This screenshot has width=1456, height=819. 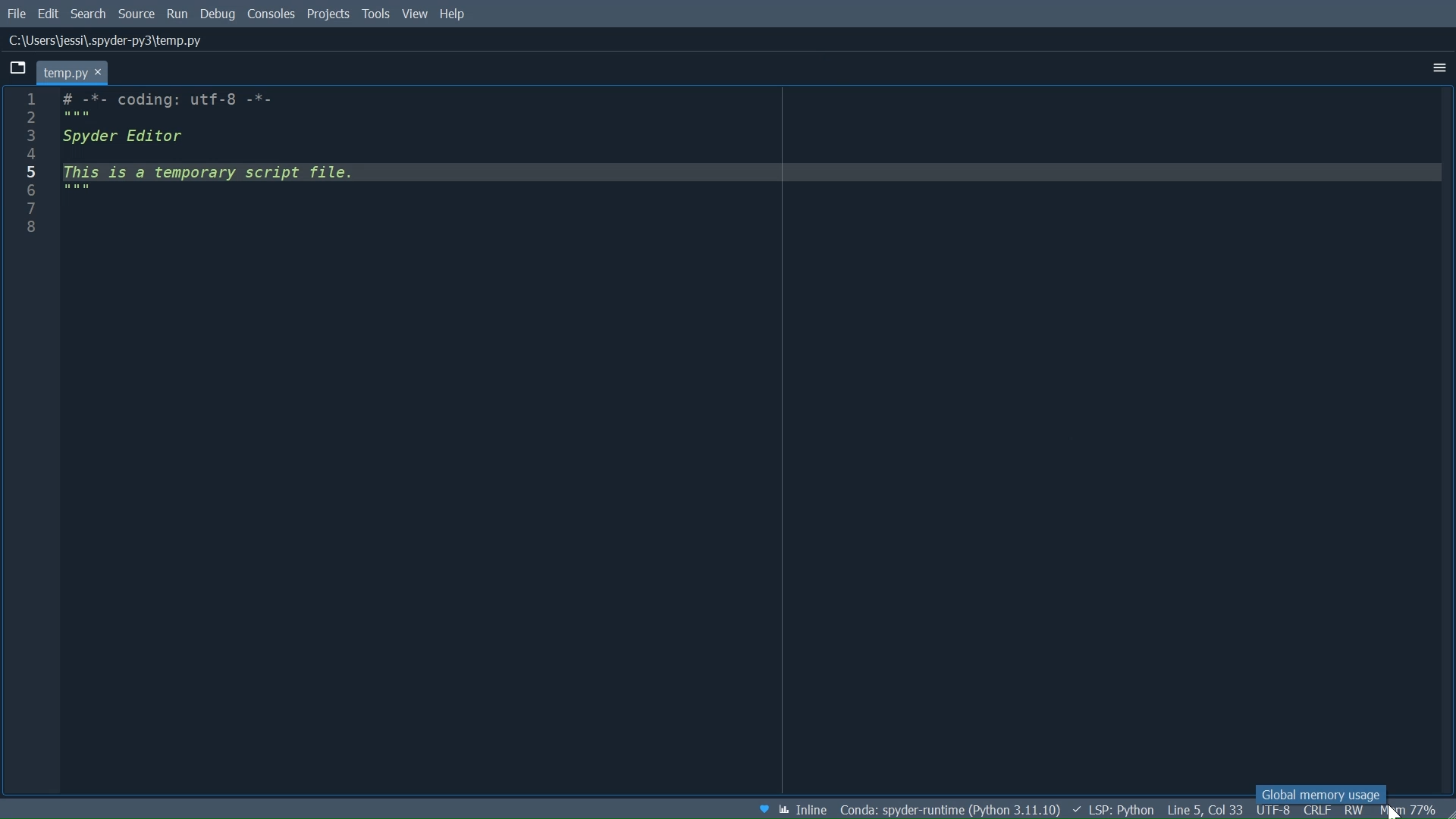 What do you see at coordinates (49, 14) in the screenshot?
I see `Edit` at bounding box center [49, 14].